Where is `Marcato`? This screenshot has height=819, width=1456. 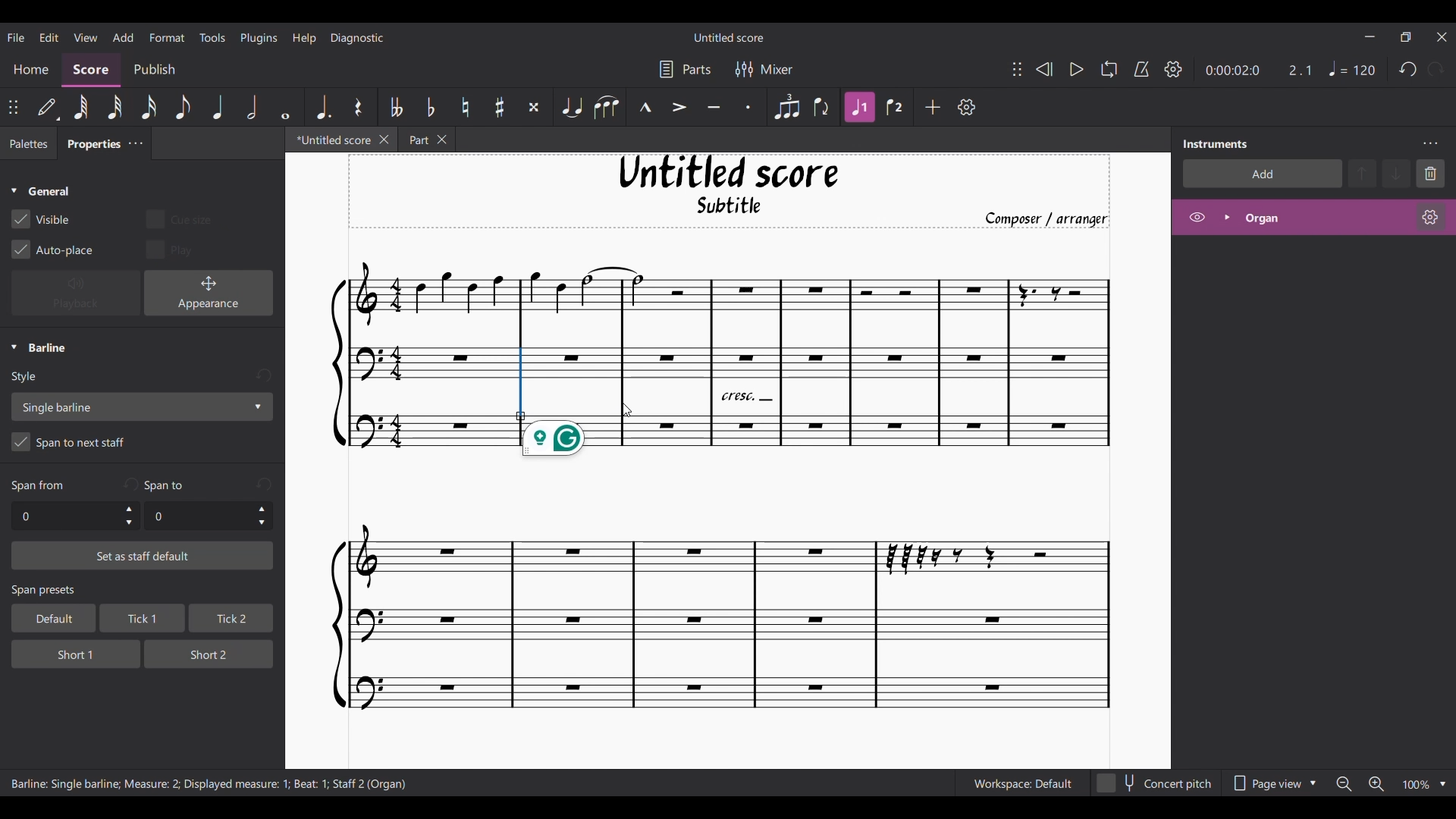
Marcato is located at coordinates (645, 108).